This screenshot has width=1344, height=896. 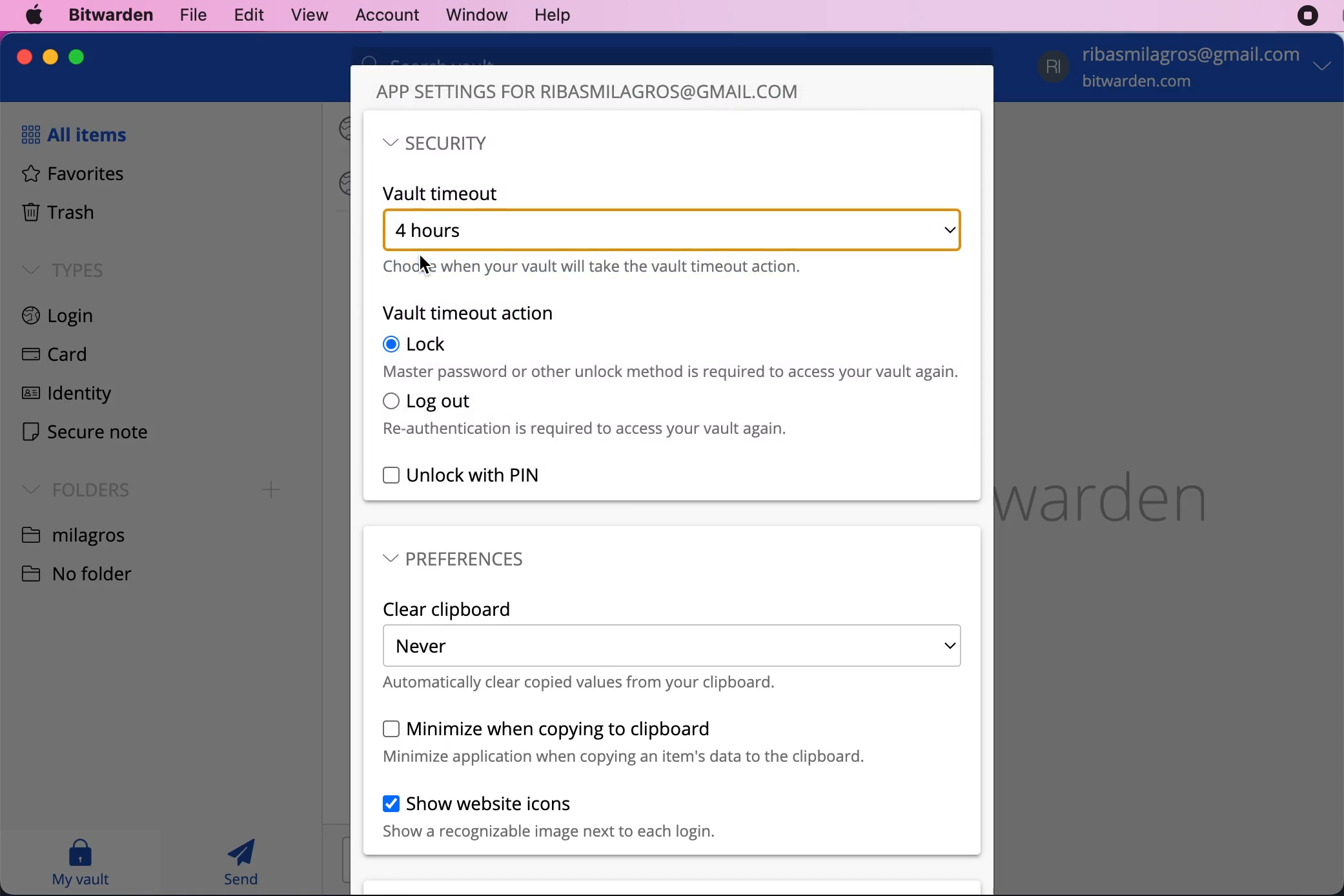 What do you see at coordinates (76, 534) in the screenshot?
I see `folder name` at bounding box center [76, 534].